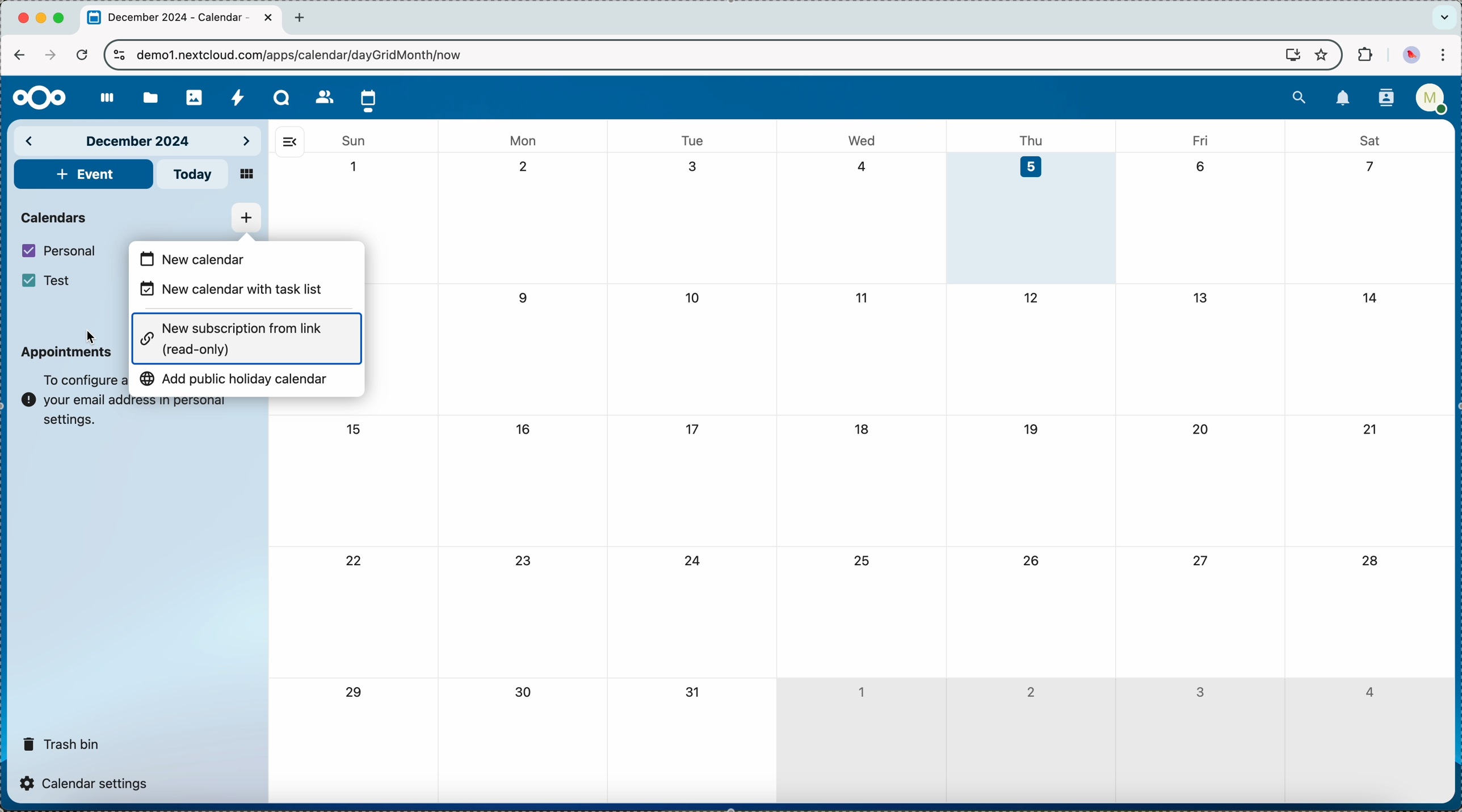 This screenshot has height=812, width=1462. Describe the element at coordinates (35, 98) in the screenshot. I see `Nextcloud logo` at that location.